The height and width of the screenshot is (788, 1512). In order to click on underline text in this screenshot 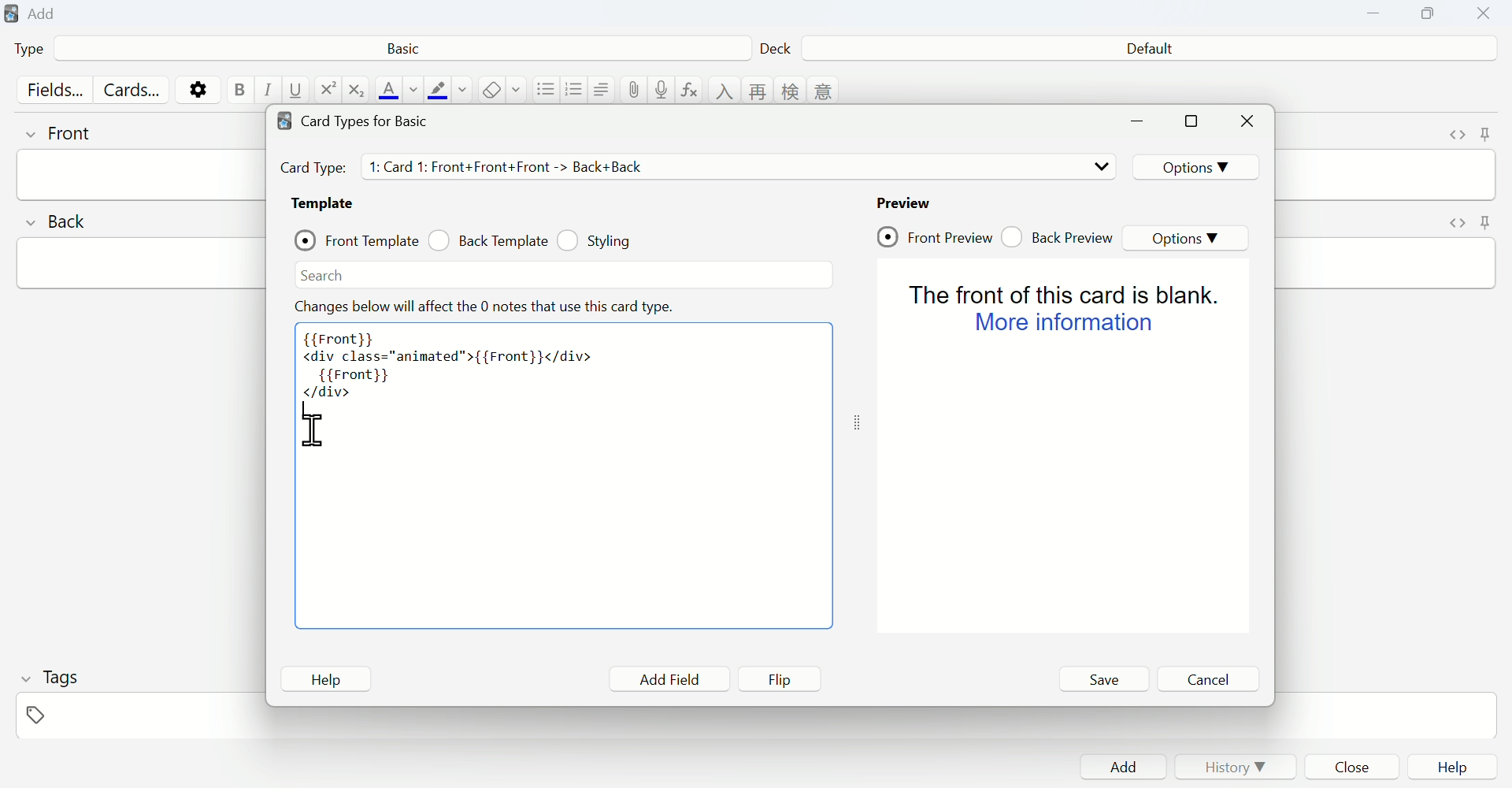, I will do `click(296, 90)`.